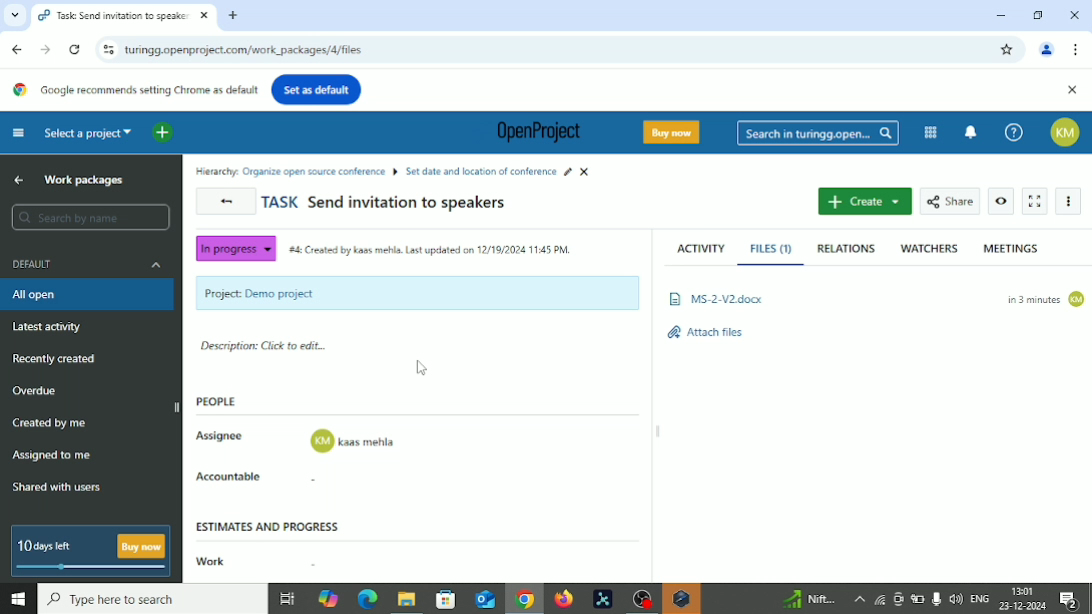  Describe the element at coordinates (421, 370) in the screenshot. I see `Cursor` at that location.